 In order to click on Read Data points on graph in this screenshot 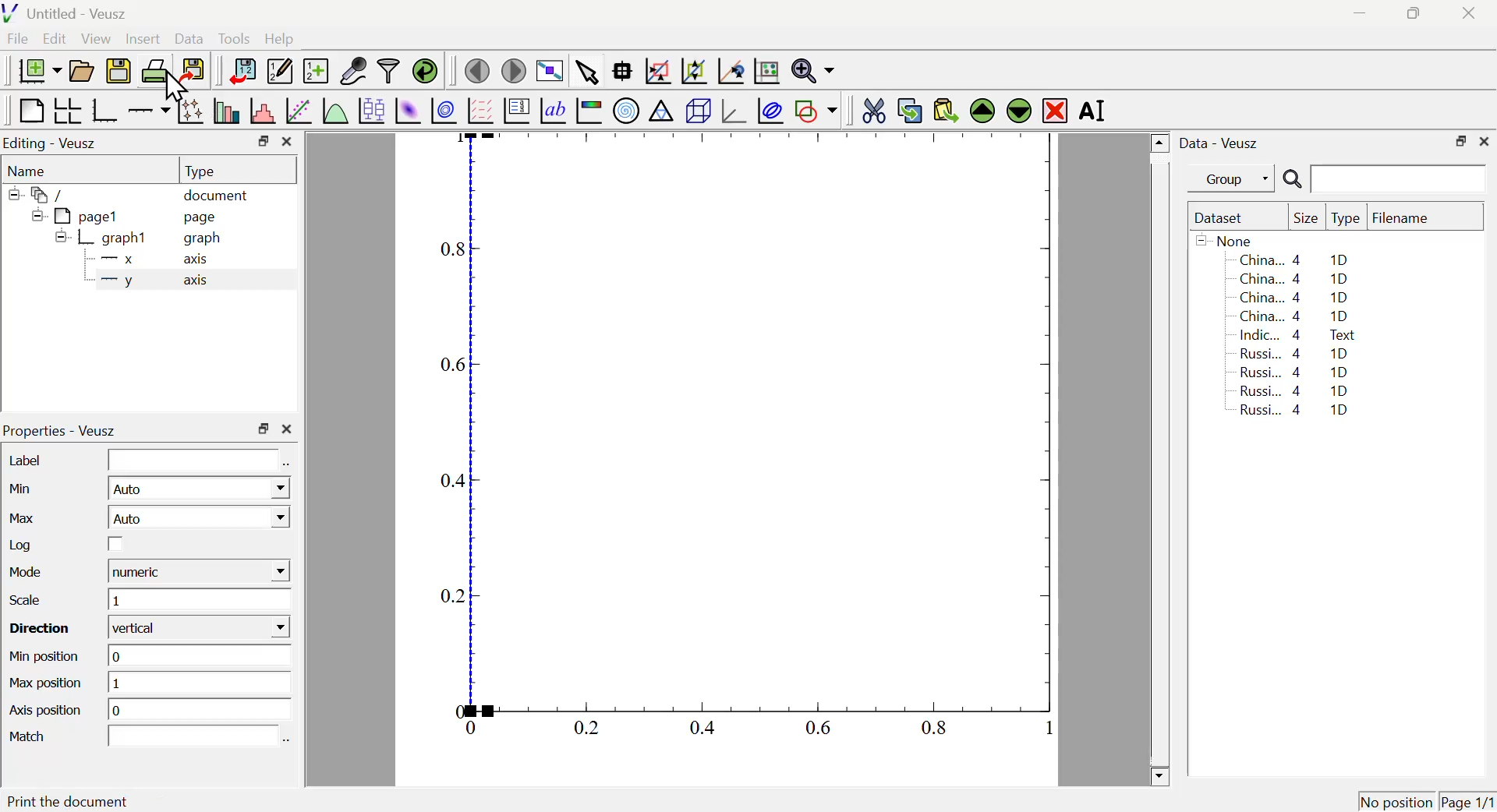, I will do `click(622, 70)`.